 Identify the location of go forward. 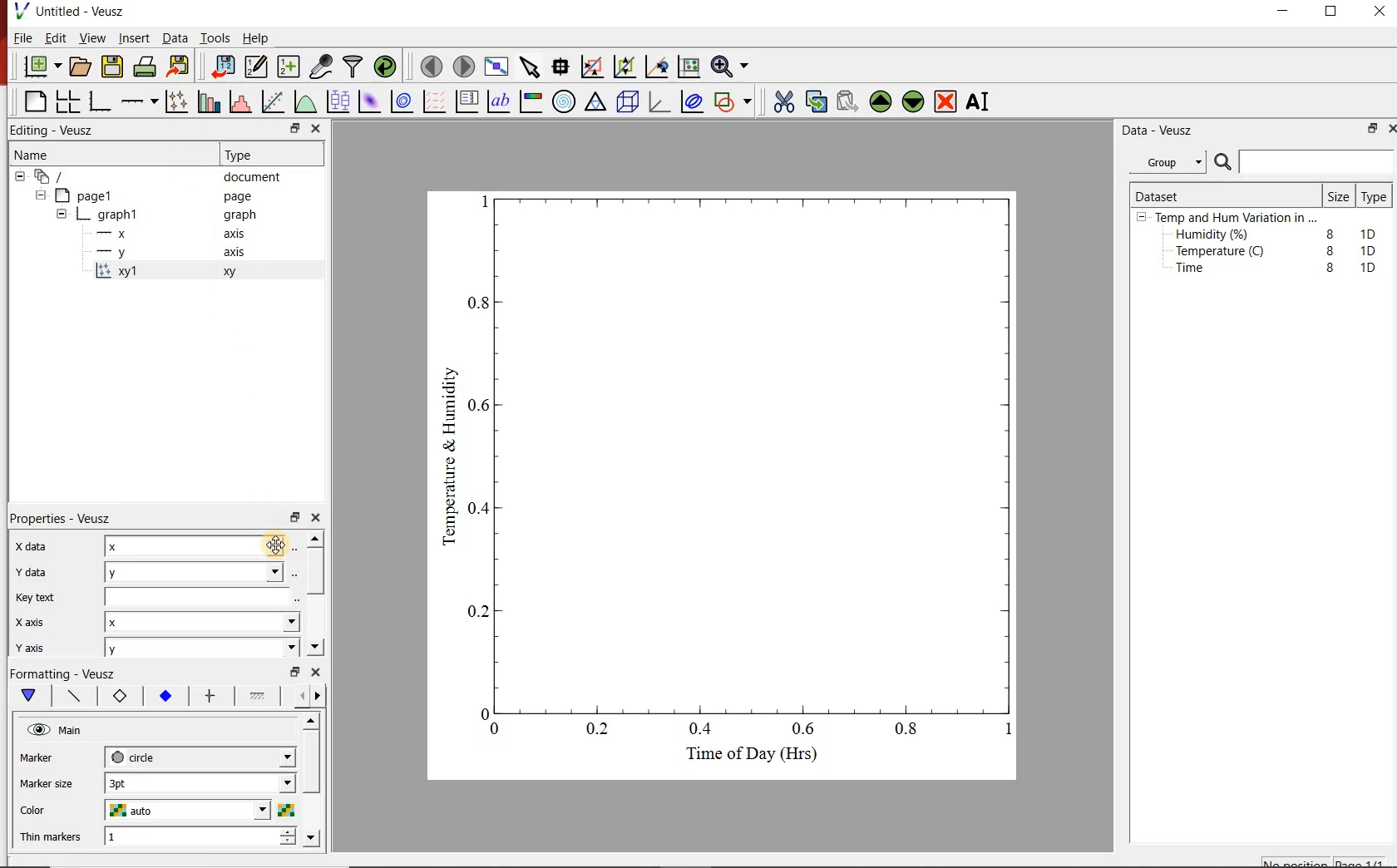
(321, 696).